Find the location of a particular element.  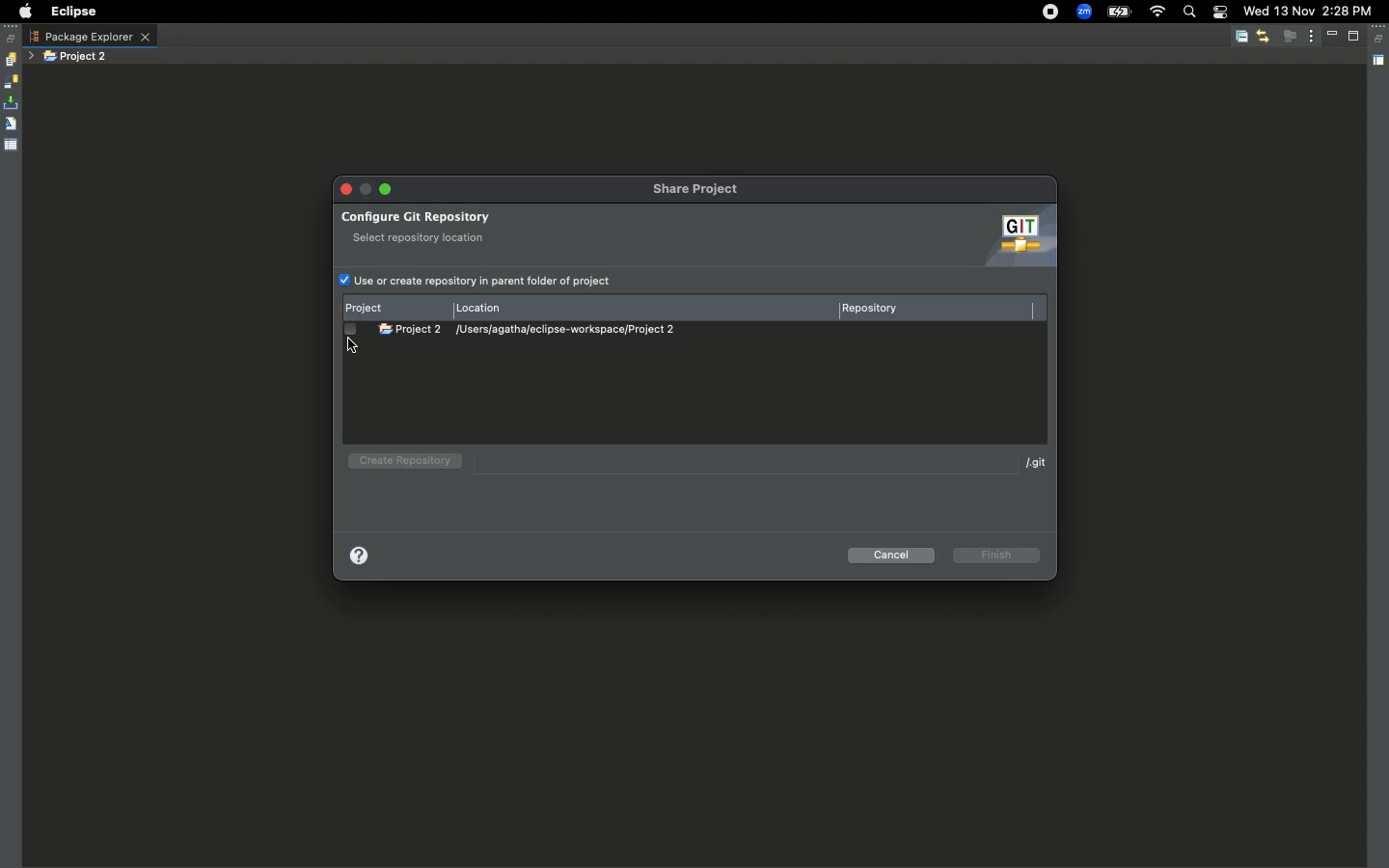

Charge is located at coordinates (1118, 14).